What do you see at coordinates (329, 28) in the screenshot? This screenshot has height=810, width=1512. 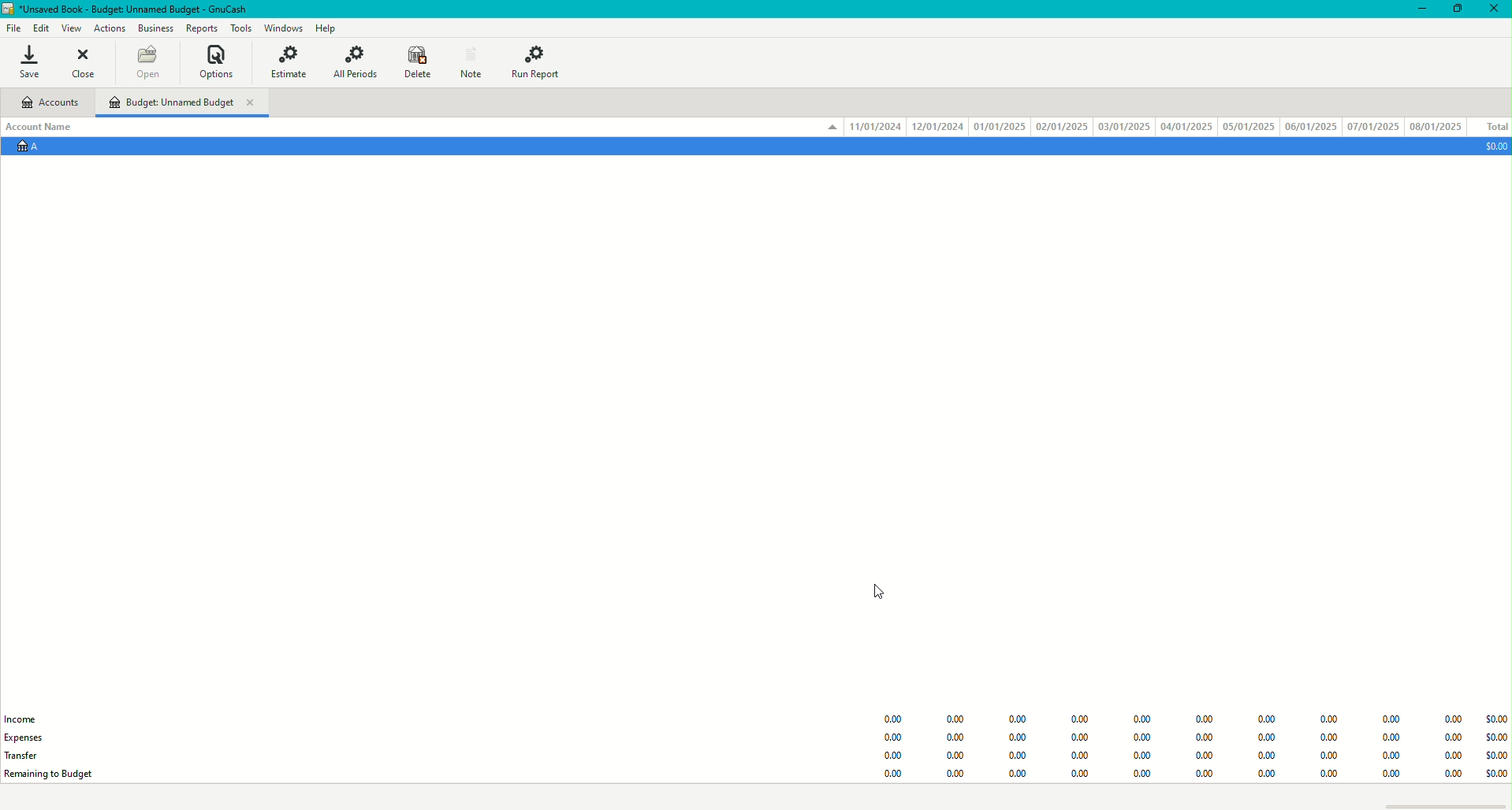 I see `Help` at bounding box center [329, 28].